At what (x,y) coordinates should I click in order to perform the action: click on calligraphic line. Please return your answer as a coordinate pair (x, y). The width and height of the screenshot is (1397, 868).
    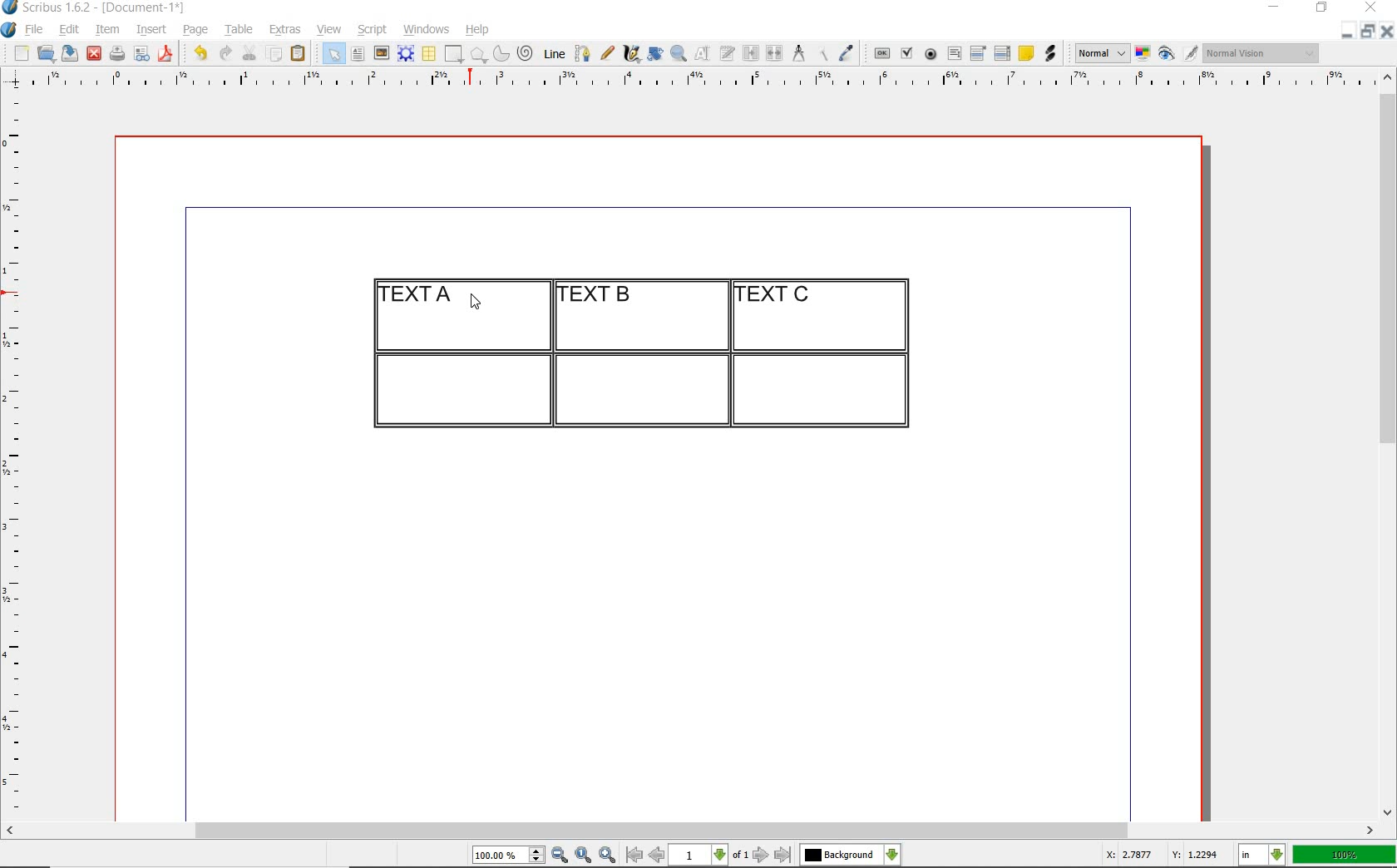
    Looking at the image, I should click on (633, 53).